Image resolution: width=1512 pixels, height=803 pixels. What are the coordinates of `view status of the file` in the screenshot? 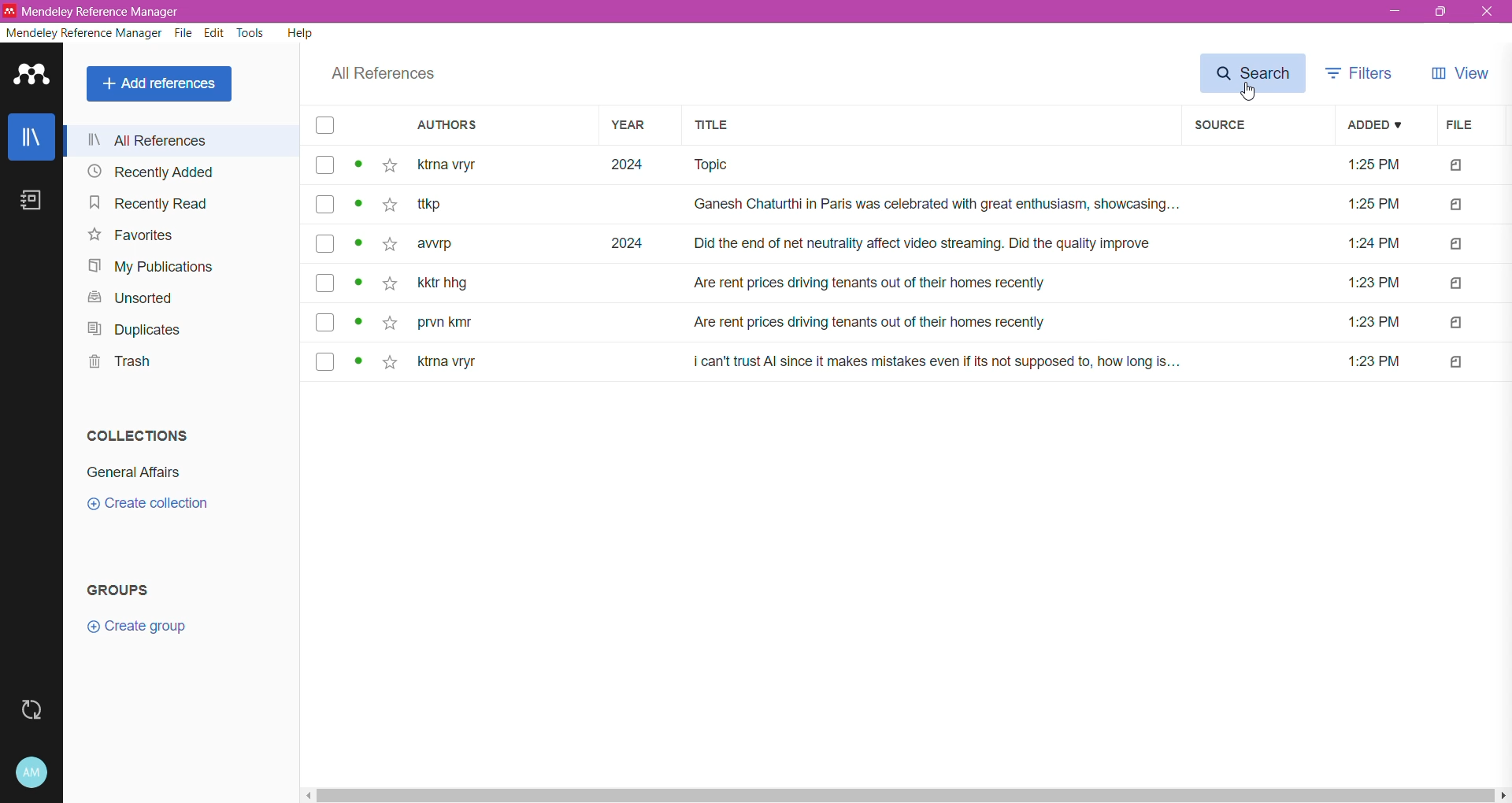 It's located at (359, 363).